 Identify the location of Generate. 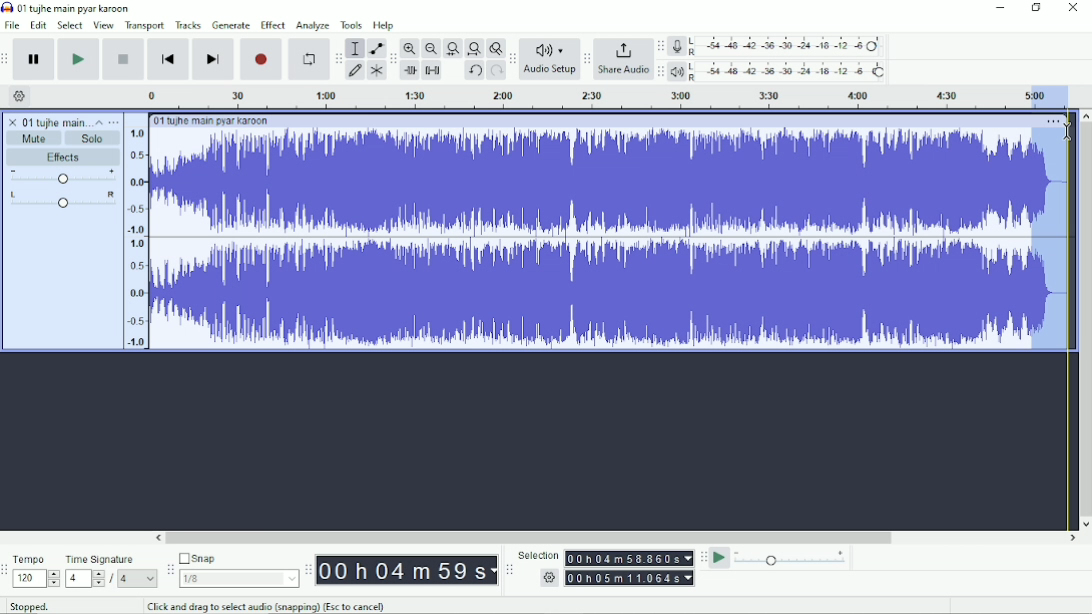
(232, 24).